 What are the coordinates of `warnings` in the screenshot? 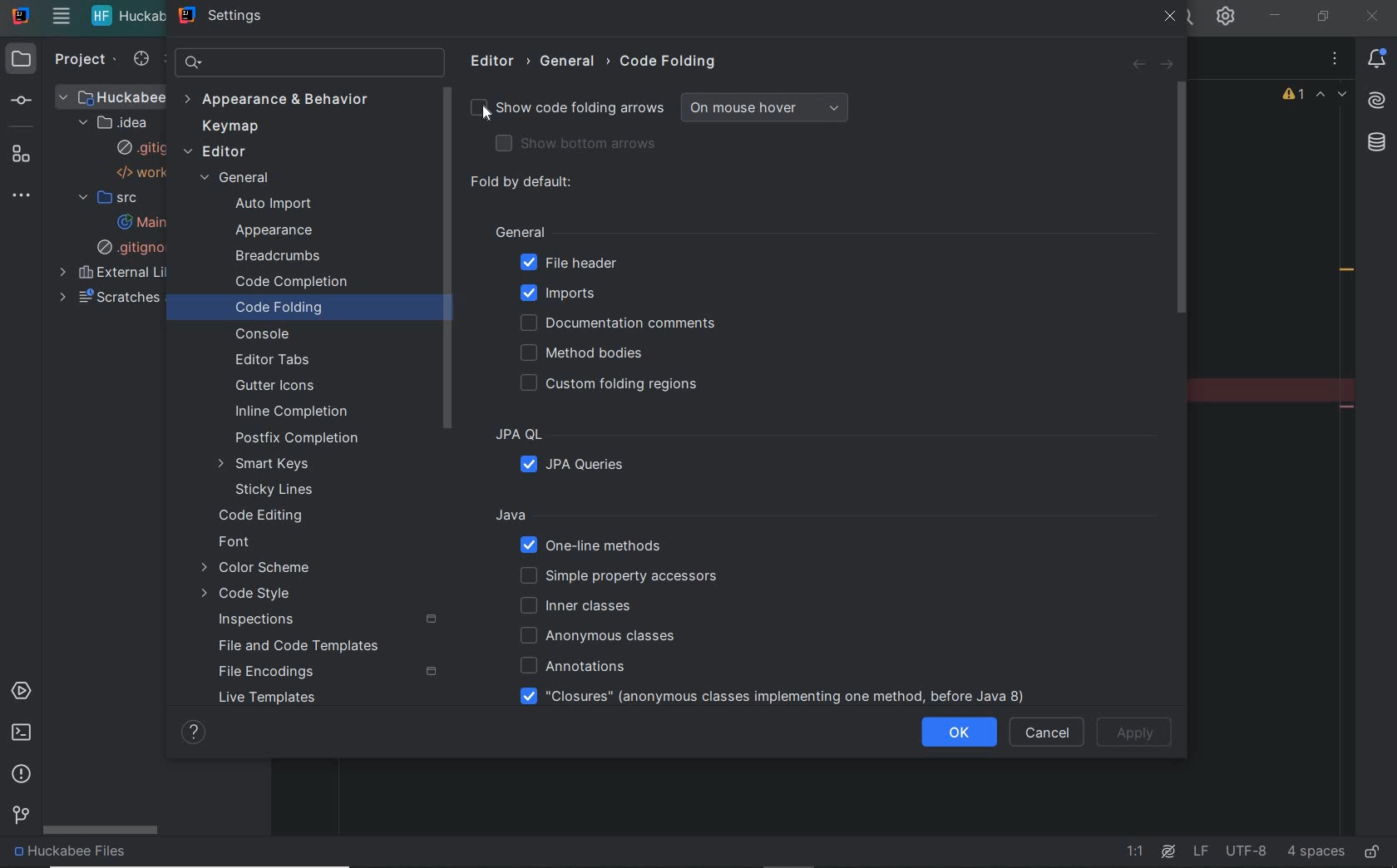 It's located at (1292, 96).